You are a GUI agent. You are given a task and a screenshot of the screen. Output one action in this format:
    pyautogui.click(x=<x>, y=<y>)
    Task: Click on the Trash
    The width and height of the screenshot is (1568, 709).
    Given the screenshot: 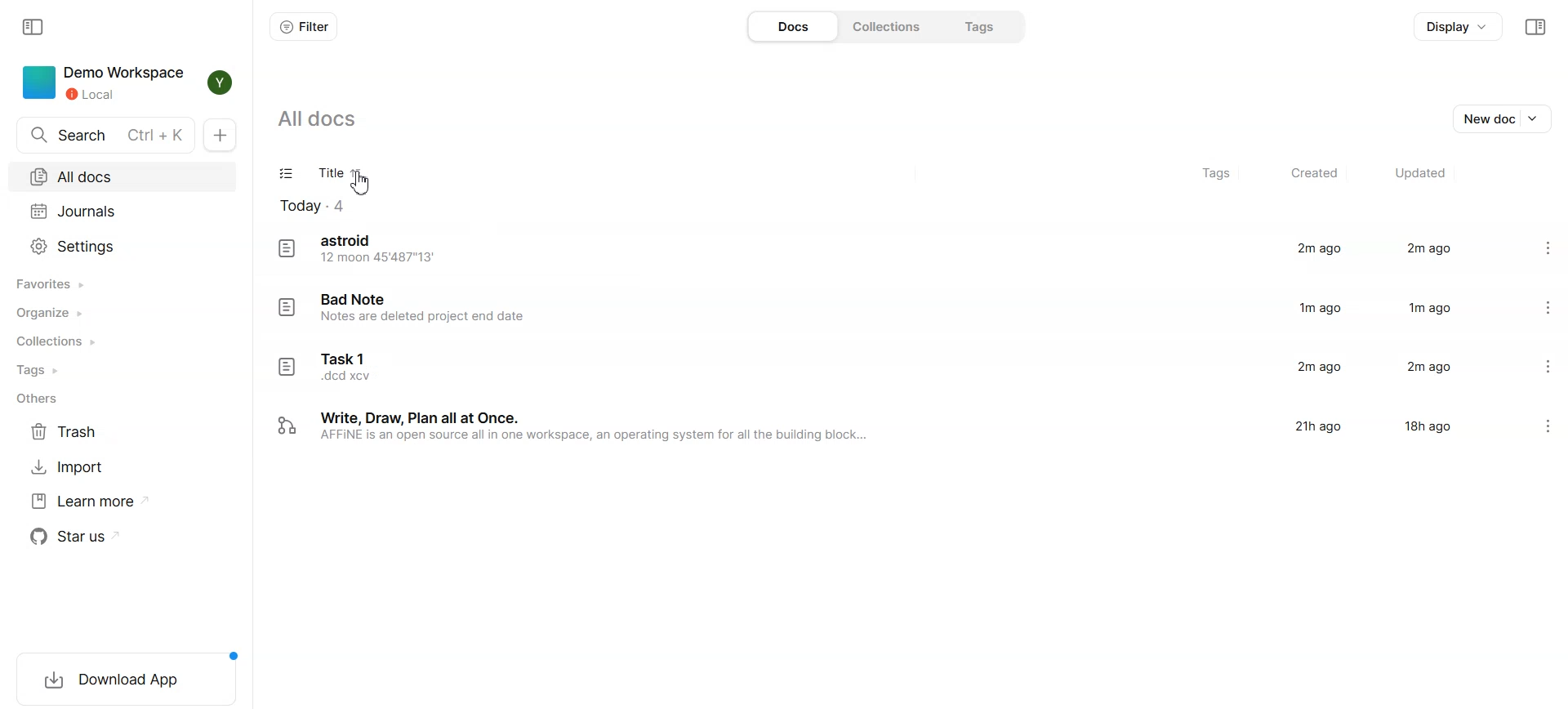 What is the action you would take?
    pyautogui.click(x=68, y=432)
    